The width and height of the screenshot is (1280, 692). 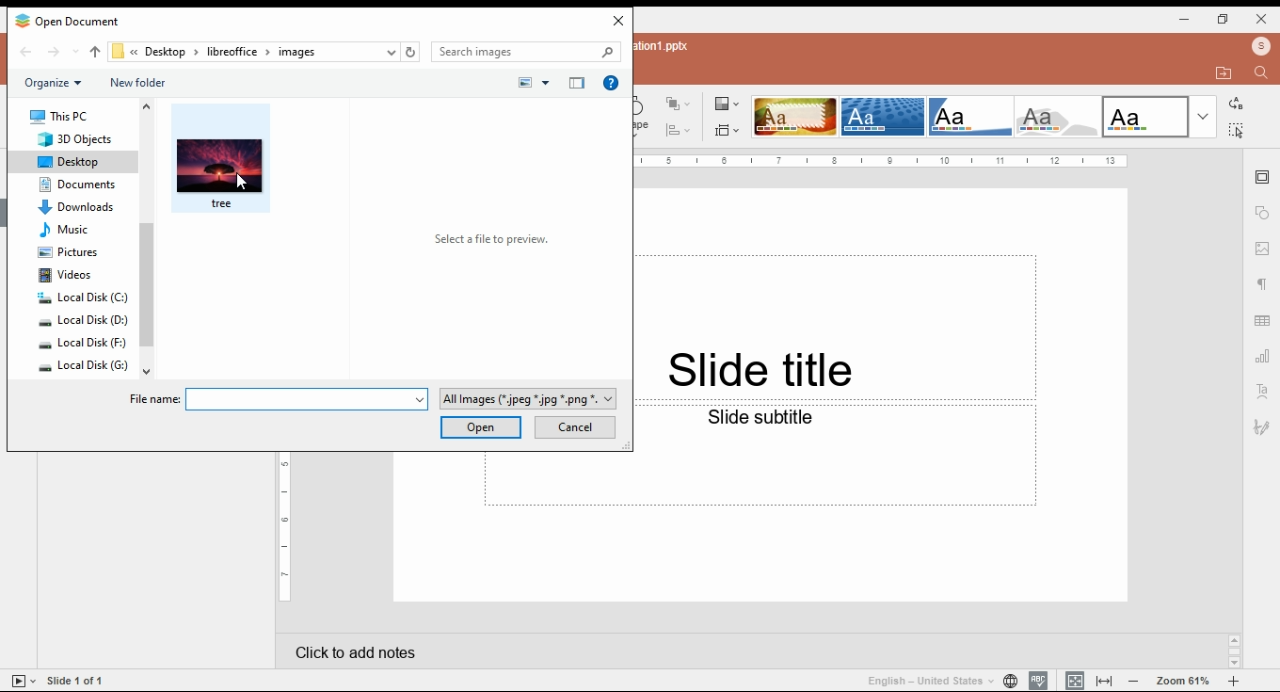 I want to click on theme 4, so click(x=1056, y=117).